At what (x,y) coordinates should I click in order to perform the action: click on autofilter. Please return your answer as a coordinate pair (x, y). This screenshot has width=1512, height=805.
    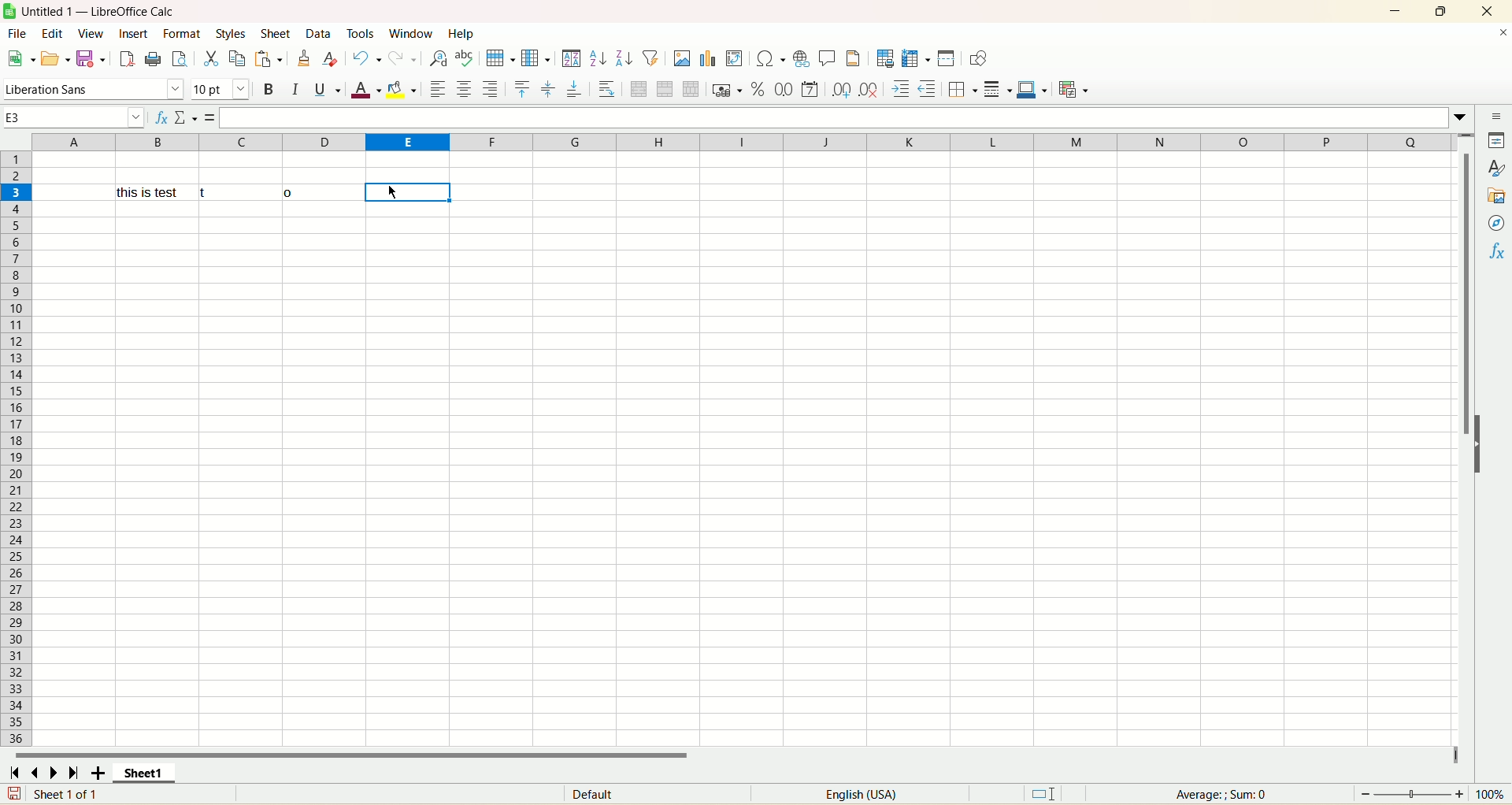
    Looking at the image, I should click on (653, 57).